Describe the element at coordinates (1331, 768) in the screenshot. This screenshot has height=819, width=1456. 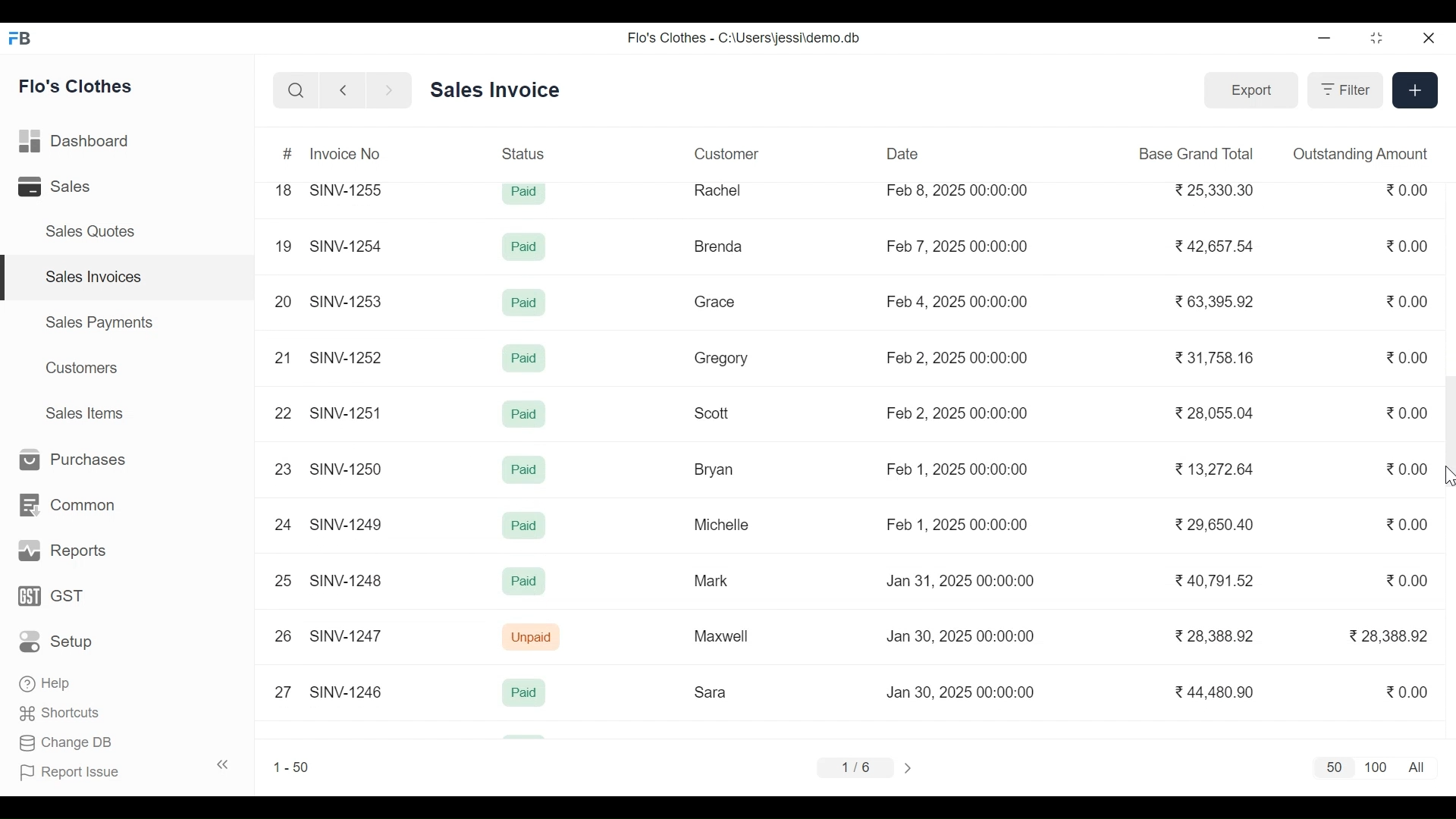
I see `50` at that location.